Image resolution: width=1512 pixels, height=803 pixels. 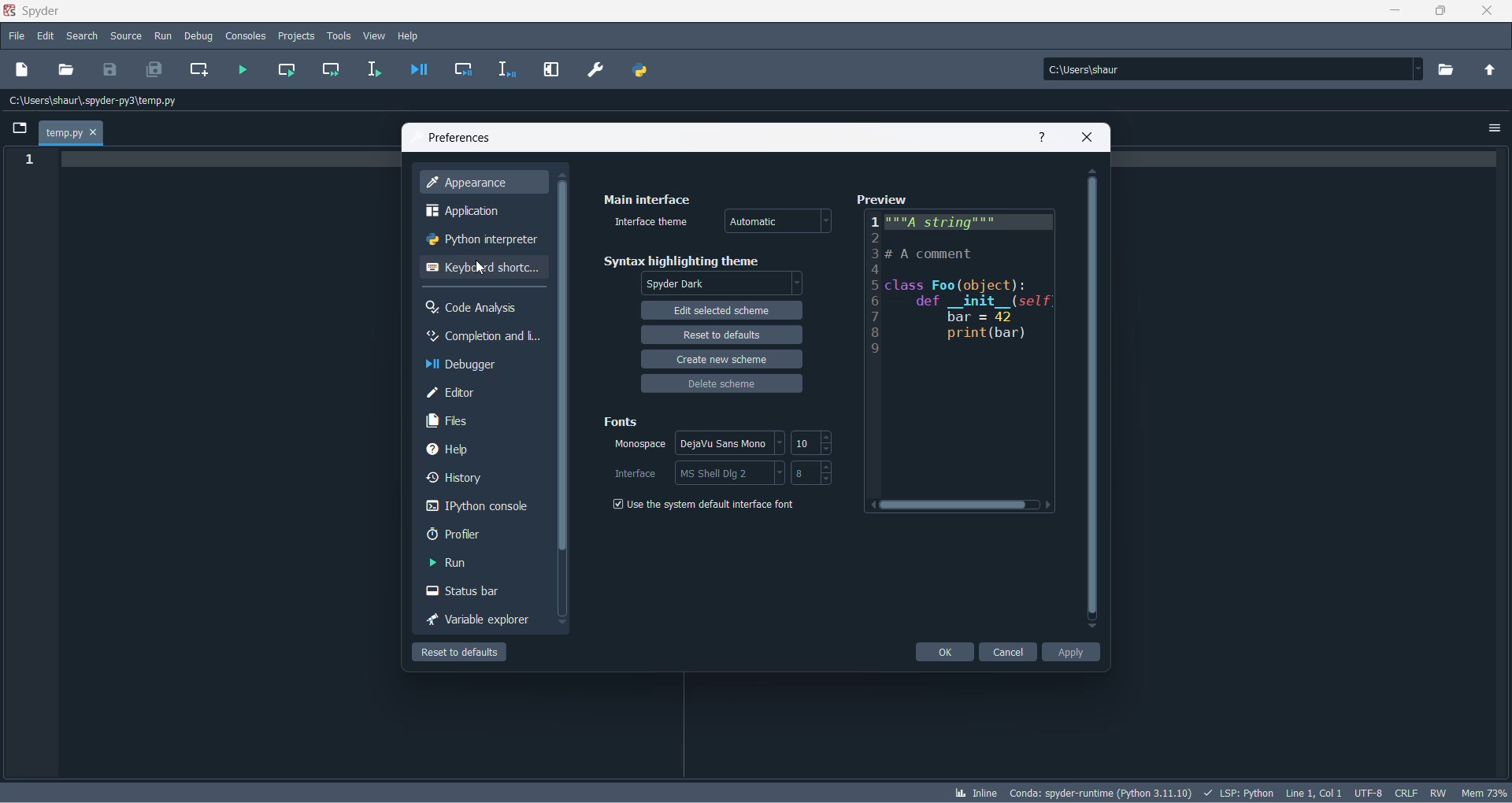 I want to click on options, so click(x=733, y=442).